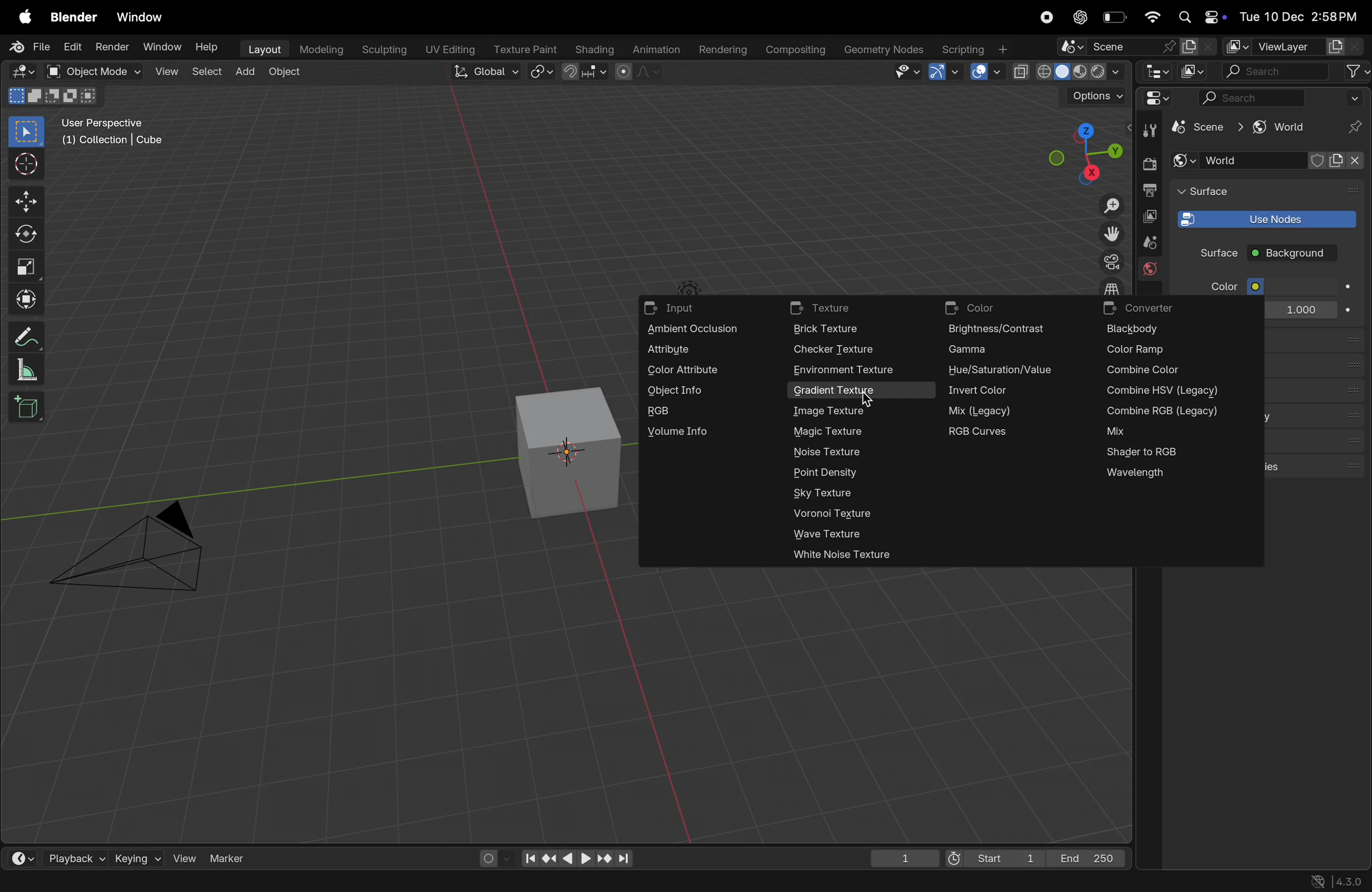 This screenshot has width=1372, height=892. What do you see at coordinates (839, 515) in the screenshot?
I see `voroni texture` at bounding box center [839, 515].